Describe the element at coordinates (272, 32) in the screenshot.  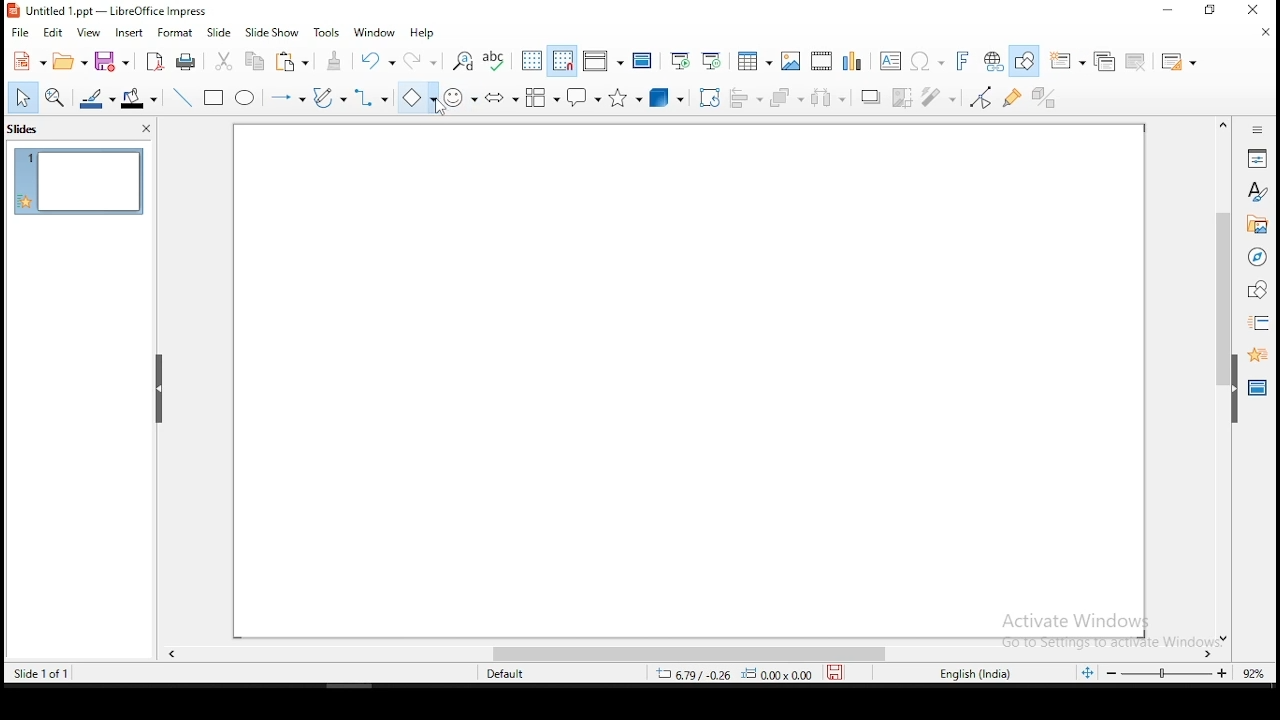
I see `slide show` at that location.